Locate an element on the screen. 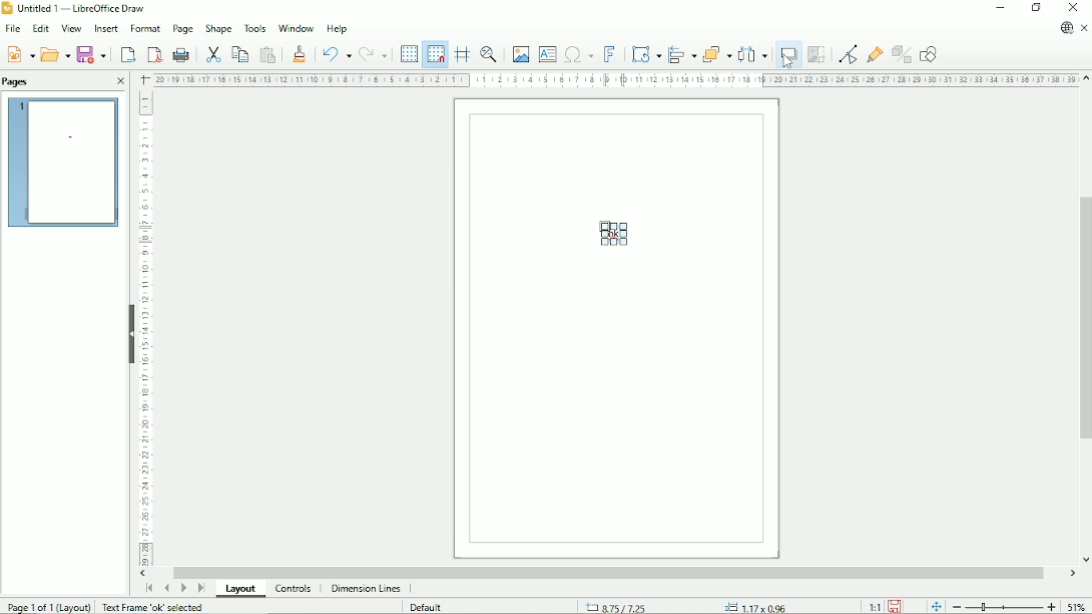  Print is located at coordinates (182, 55).